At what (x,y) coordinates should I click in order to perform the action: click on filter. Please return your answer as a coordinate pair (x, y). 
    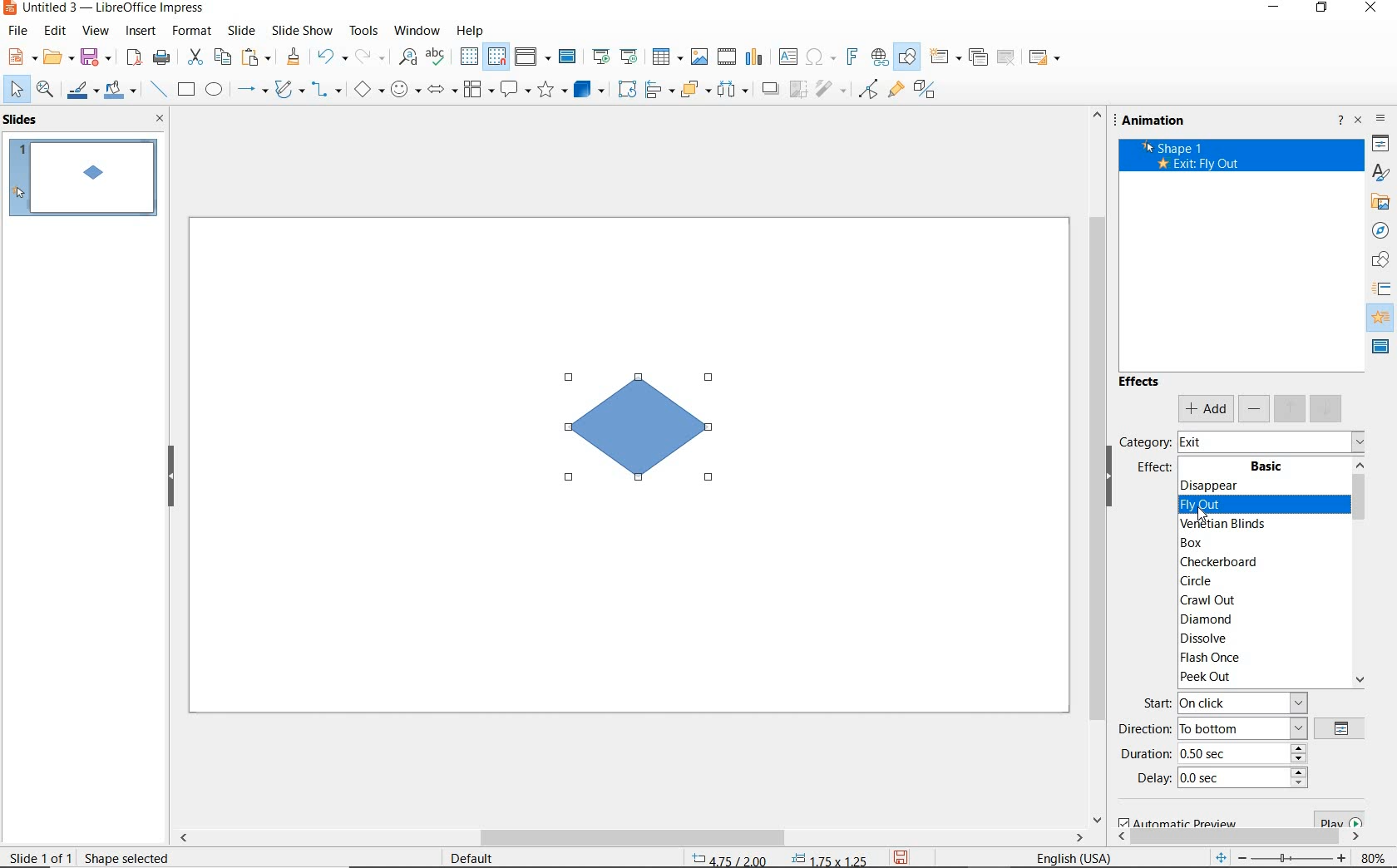
    Looking at the image, I should click on (830, 91).